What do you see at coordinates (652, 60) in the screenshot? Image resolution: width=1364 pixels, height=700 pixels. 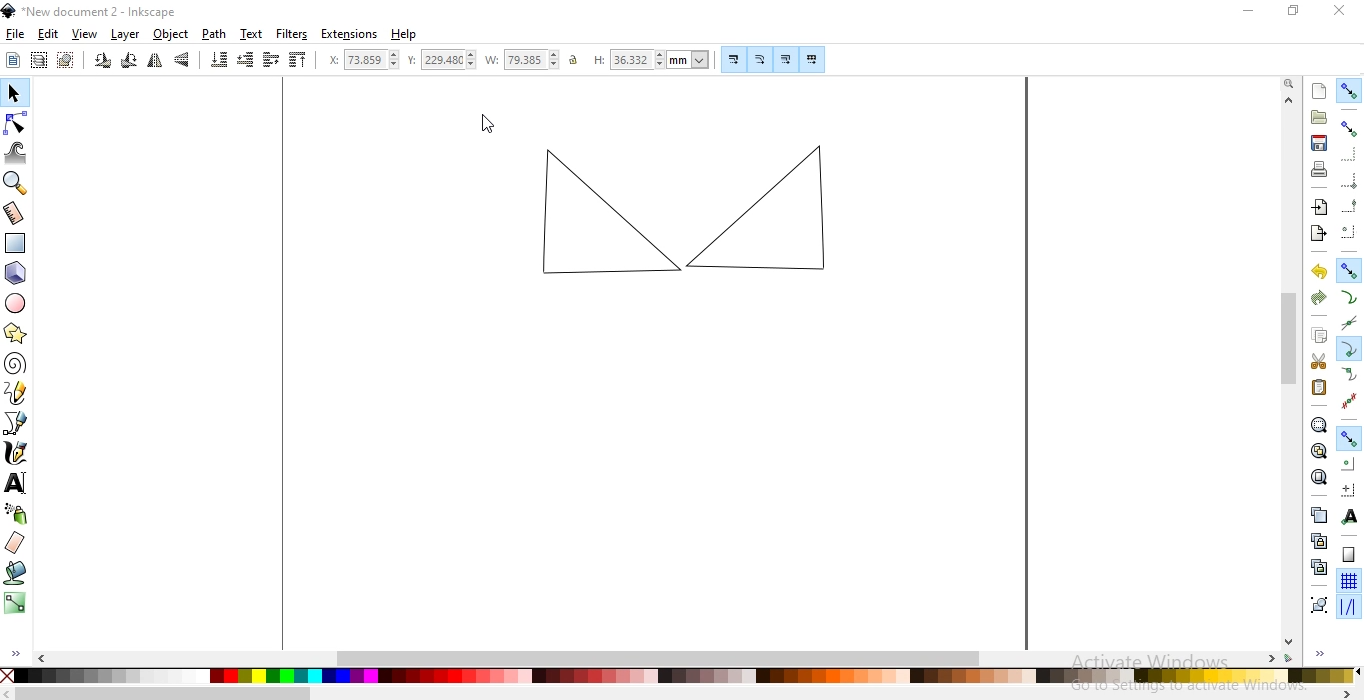 I see `height of selection` at bounding box center [652, 60].